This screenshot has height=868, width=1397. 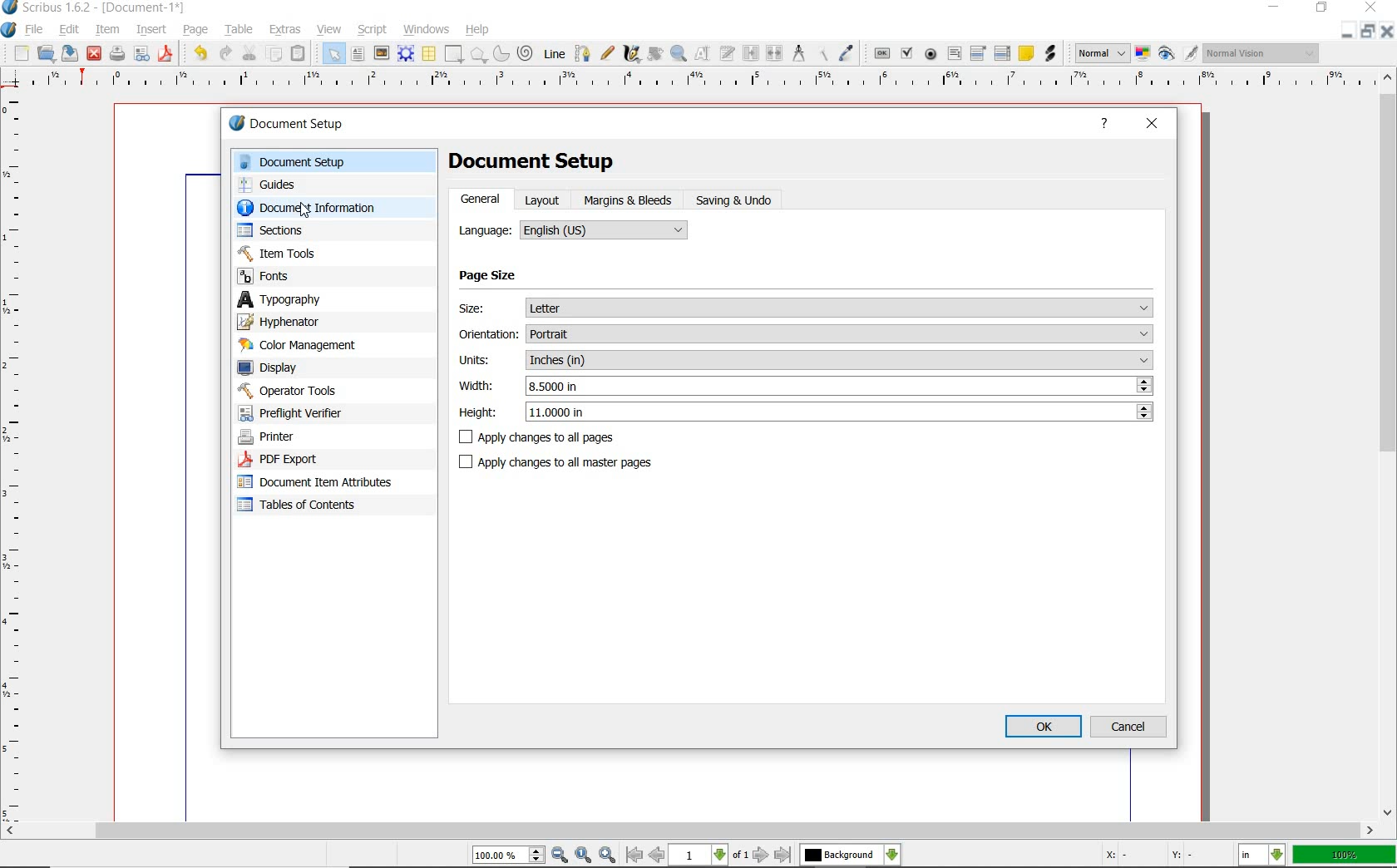 What do you see at coordinates (1371, 7) in the screenshot?
I see `close` at bounding box center [1371, 7].